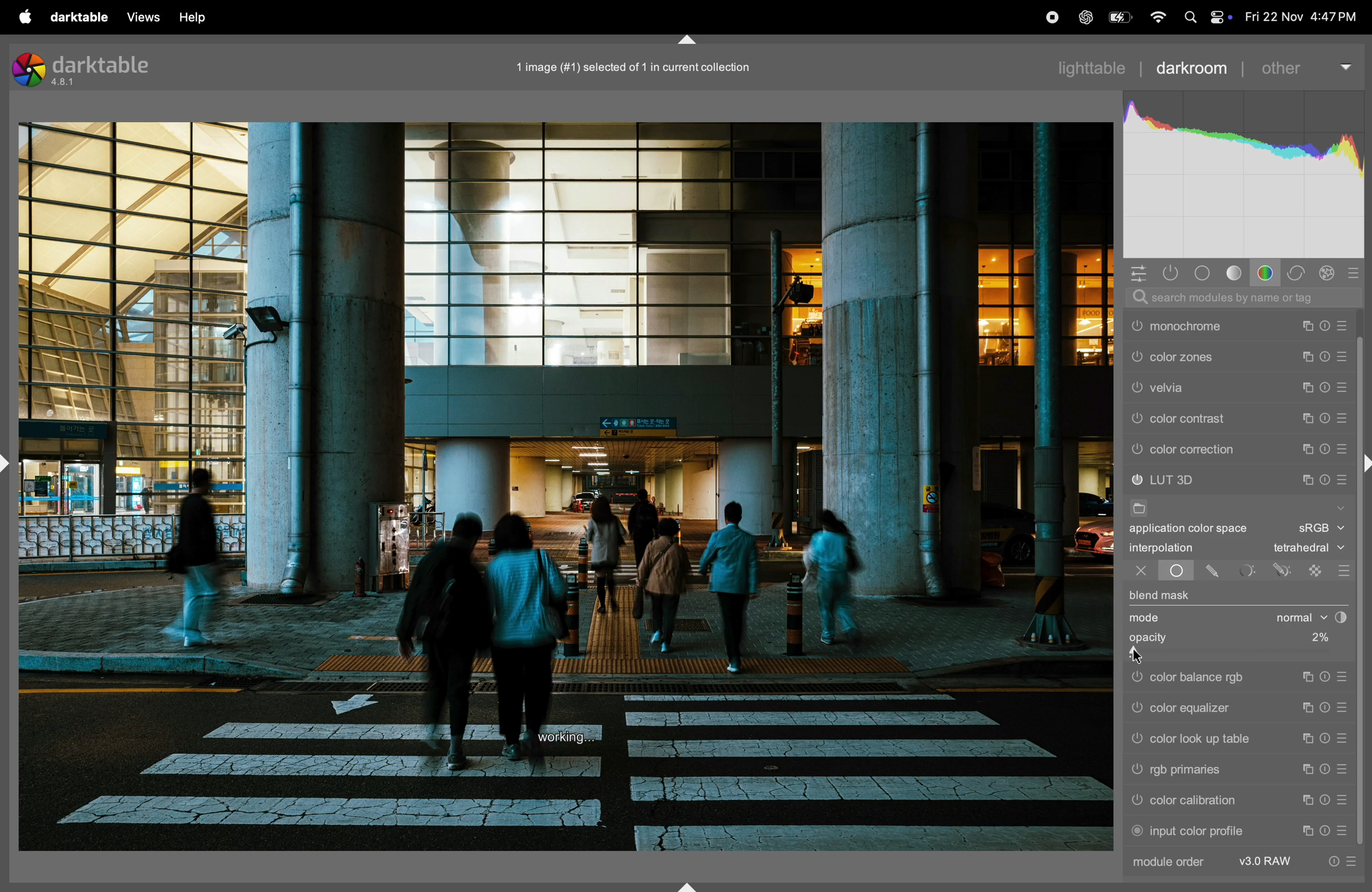 Image resolution: width=1372 pixels, height=892 pixels. Describe the element at coordinates (1162, 595) in the screenshot. I see `blend mask` at that location.